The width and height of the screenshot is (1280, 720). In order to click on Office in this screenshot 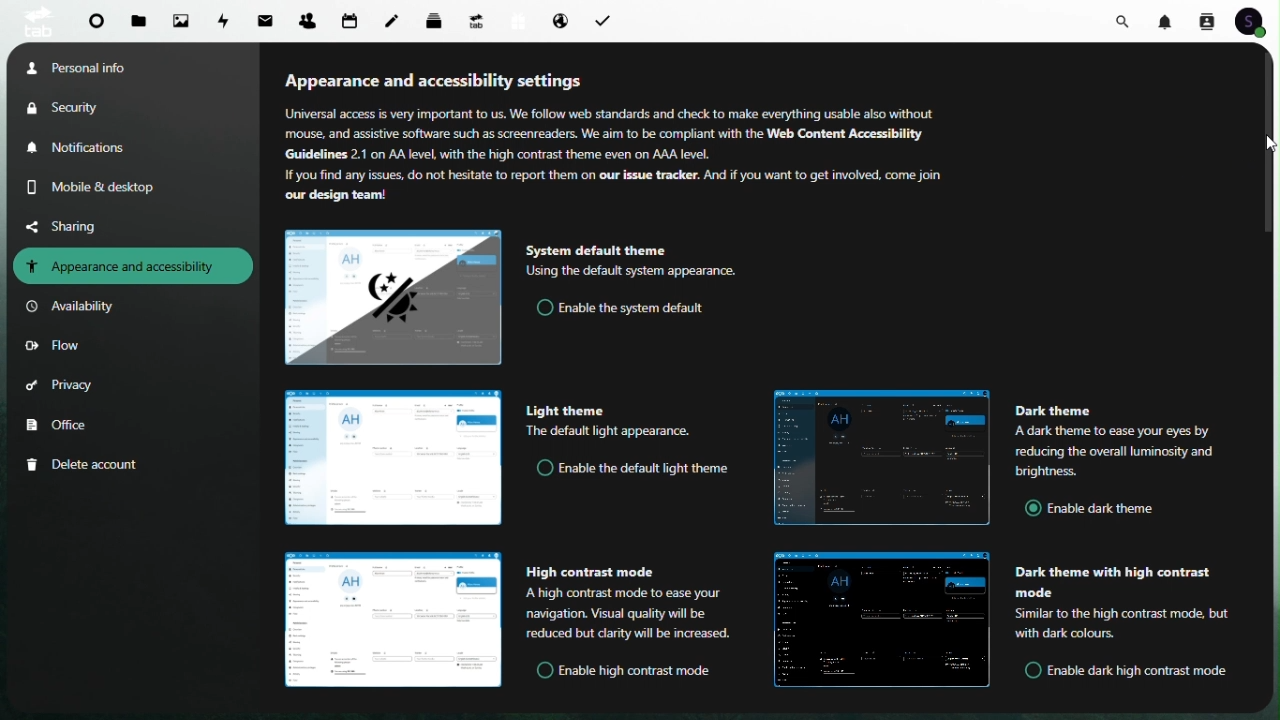, I will do `click(61, 426)`.